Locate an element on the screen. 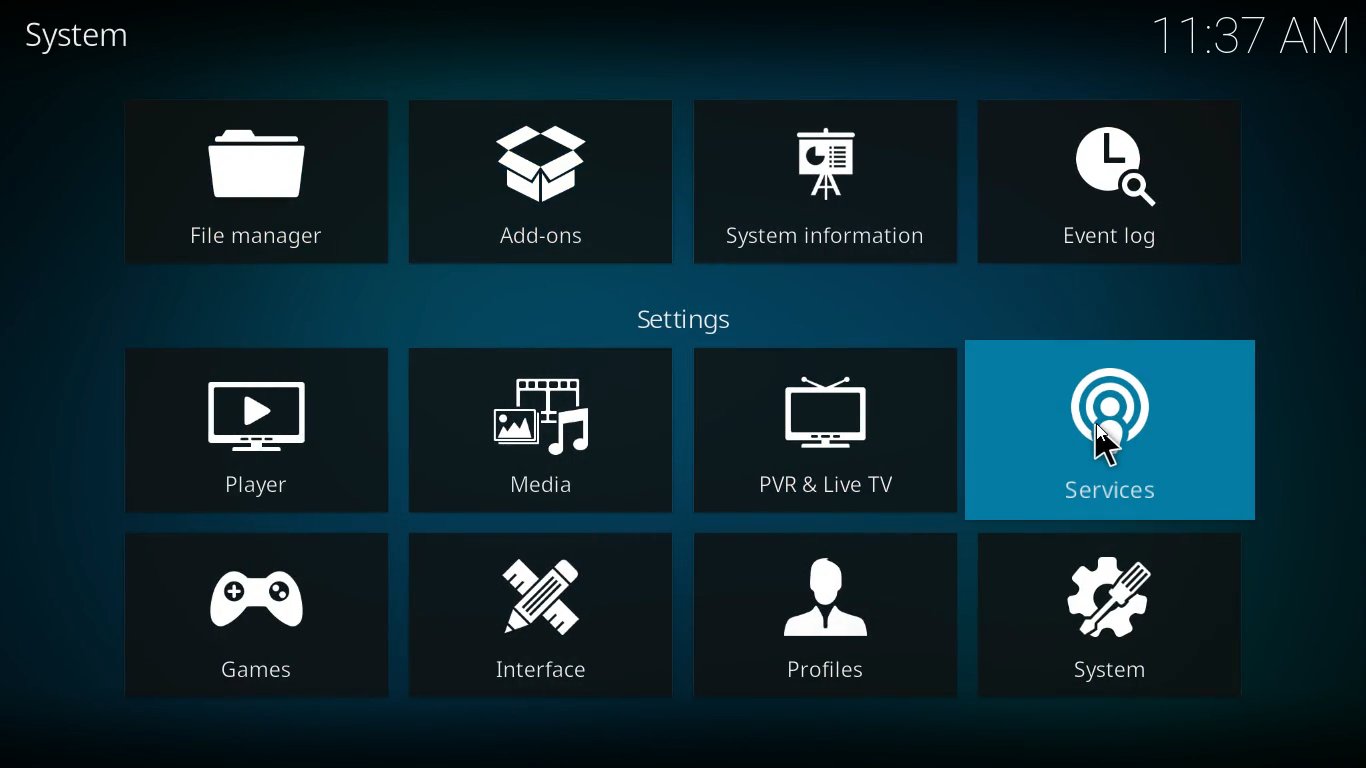 The height and width of the screenshot is (768, 1366). settings is located at coordinates (692, 319).